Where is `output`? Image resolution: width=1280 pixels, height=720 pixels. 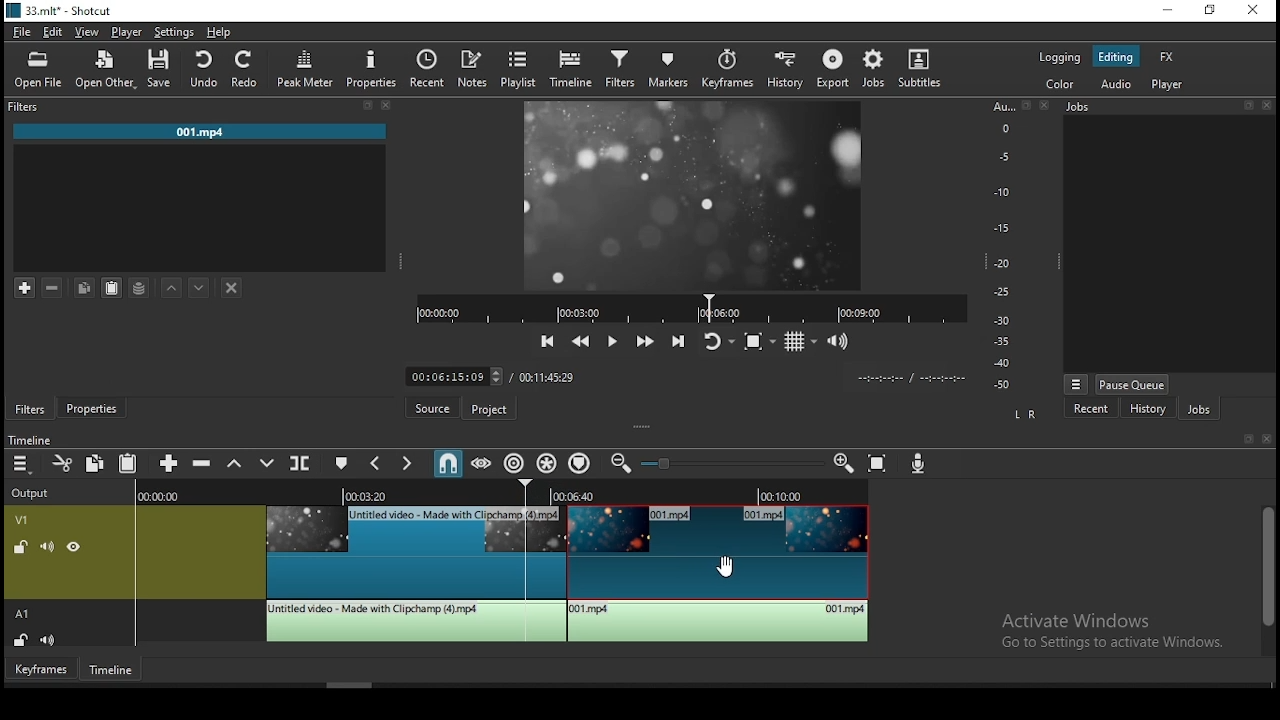 output is located at coordinates (35, 491).